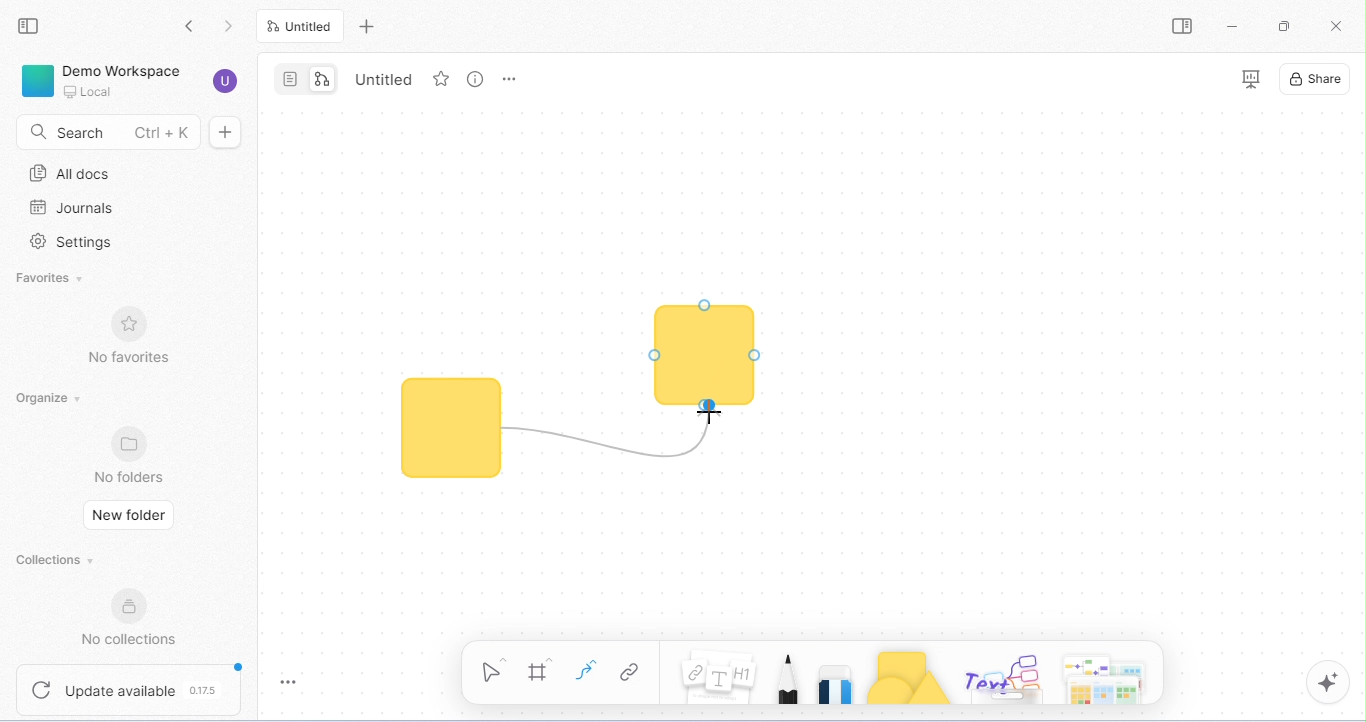 This screenshot has height=722, width=1366. What do you see at coordinates (29, 26) in the screenshot?
I see `collapse` at bounding box center [29, 26].